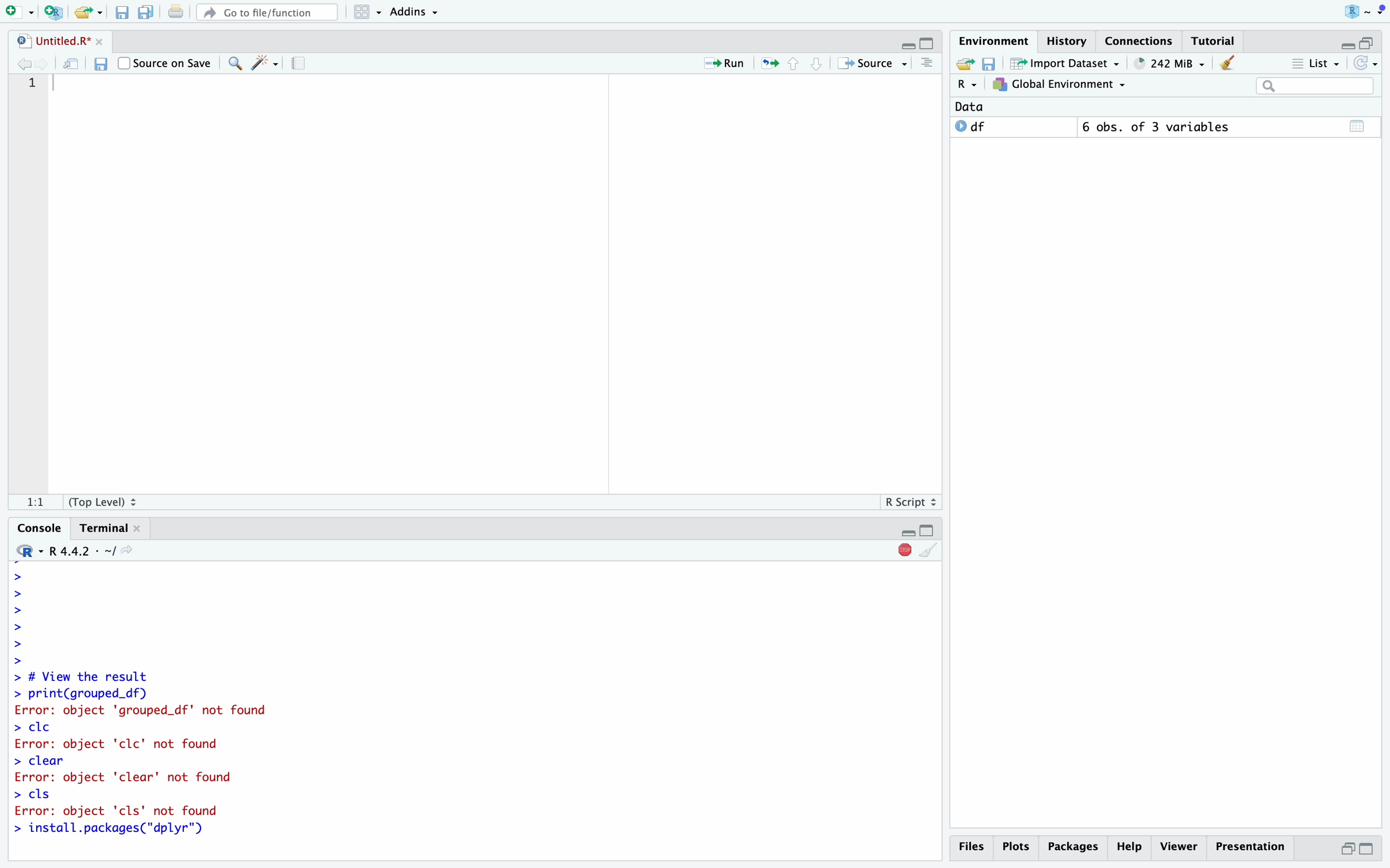 The height and width of the screenshot is (868, 1390). Describe the element at coordinates (22, 64) in the screenshot. I see `Go to previous location` at that location.